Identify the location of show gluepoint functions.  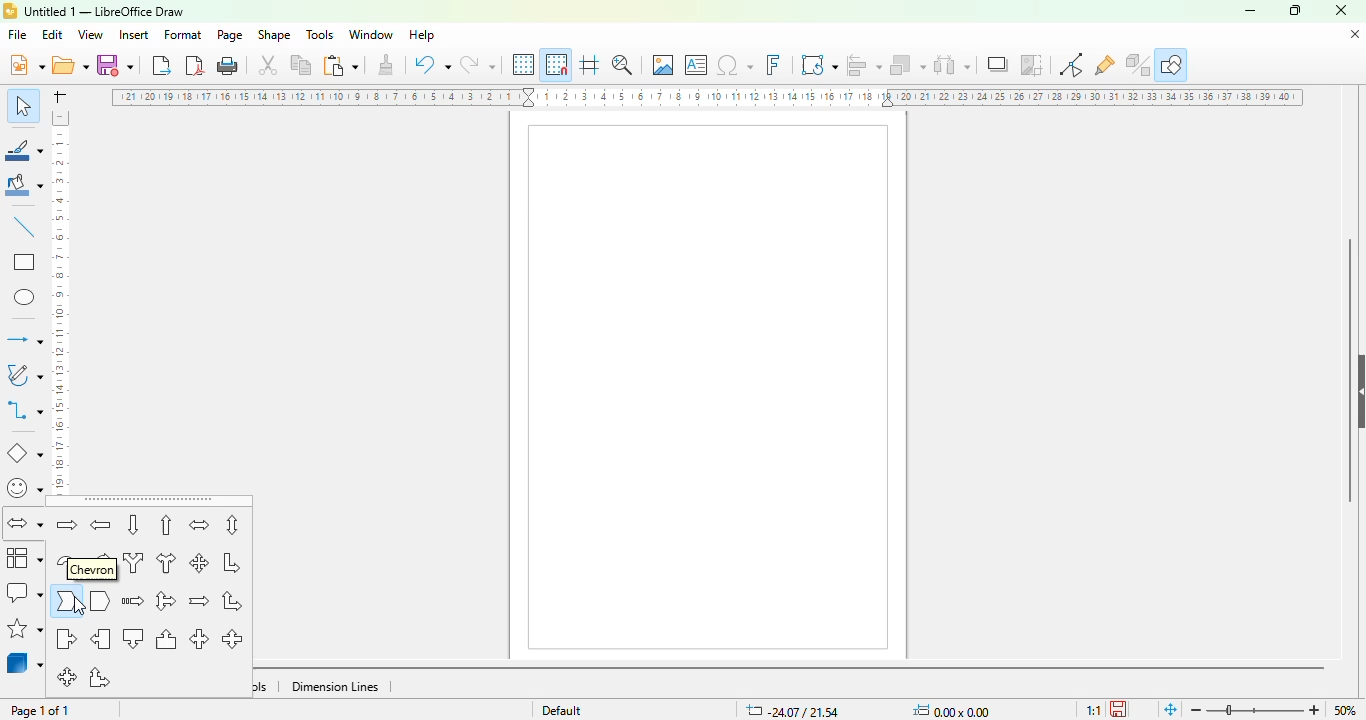
(1104, 66).